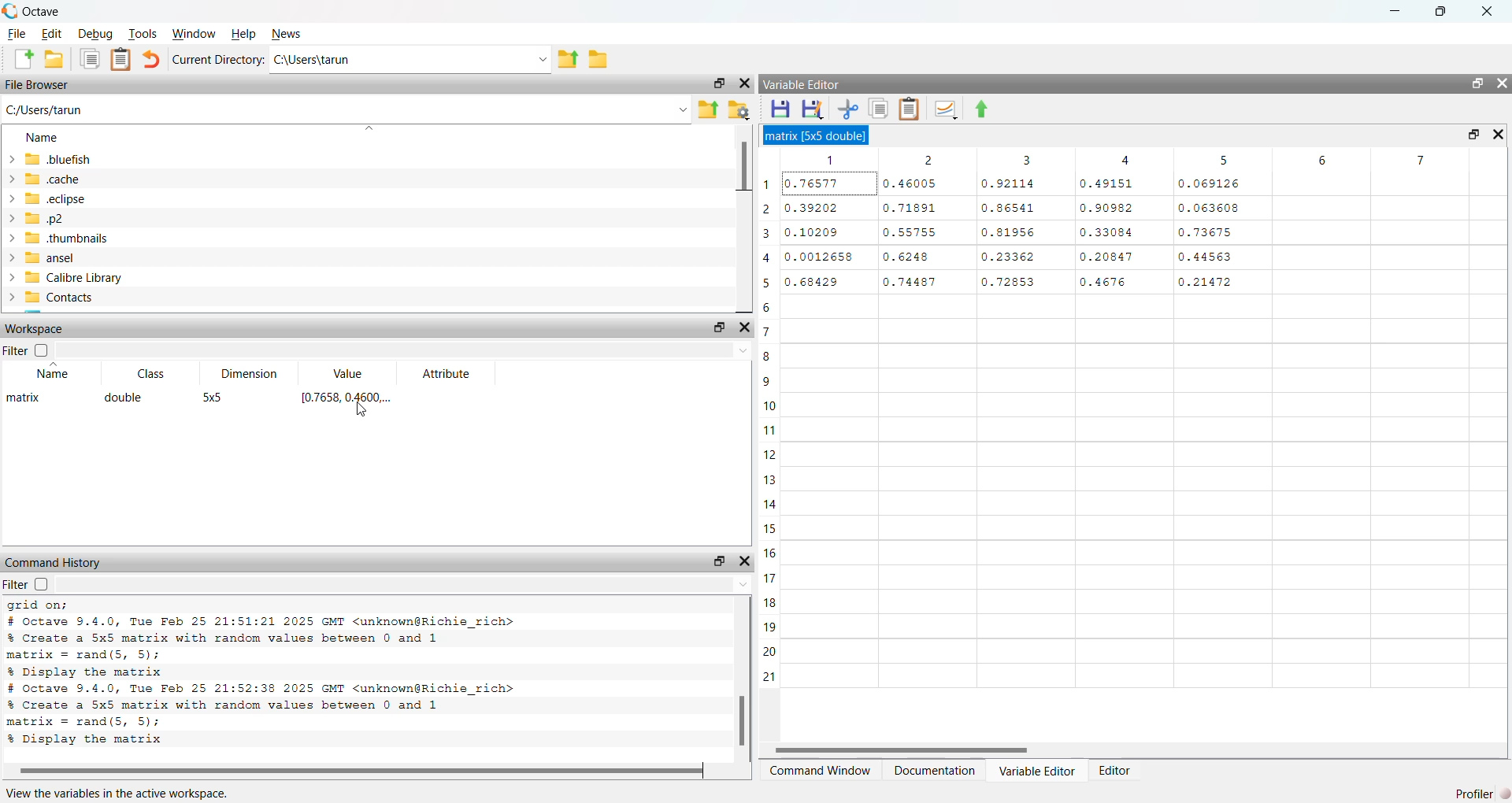 The image size is (1512, 803). What do you see at coordinates (716, 84) in the screenshot?
I see `maximise` at bounding box center [716, 84].